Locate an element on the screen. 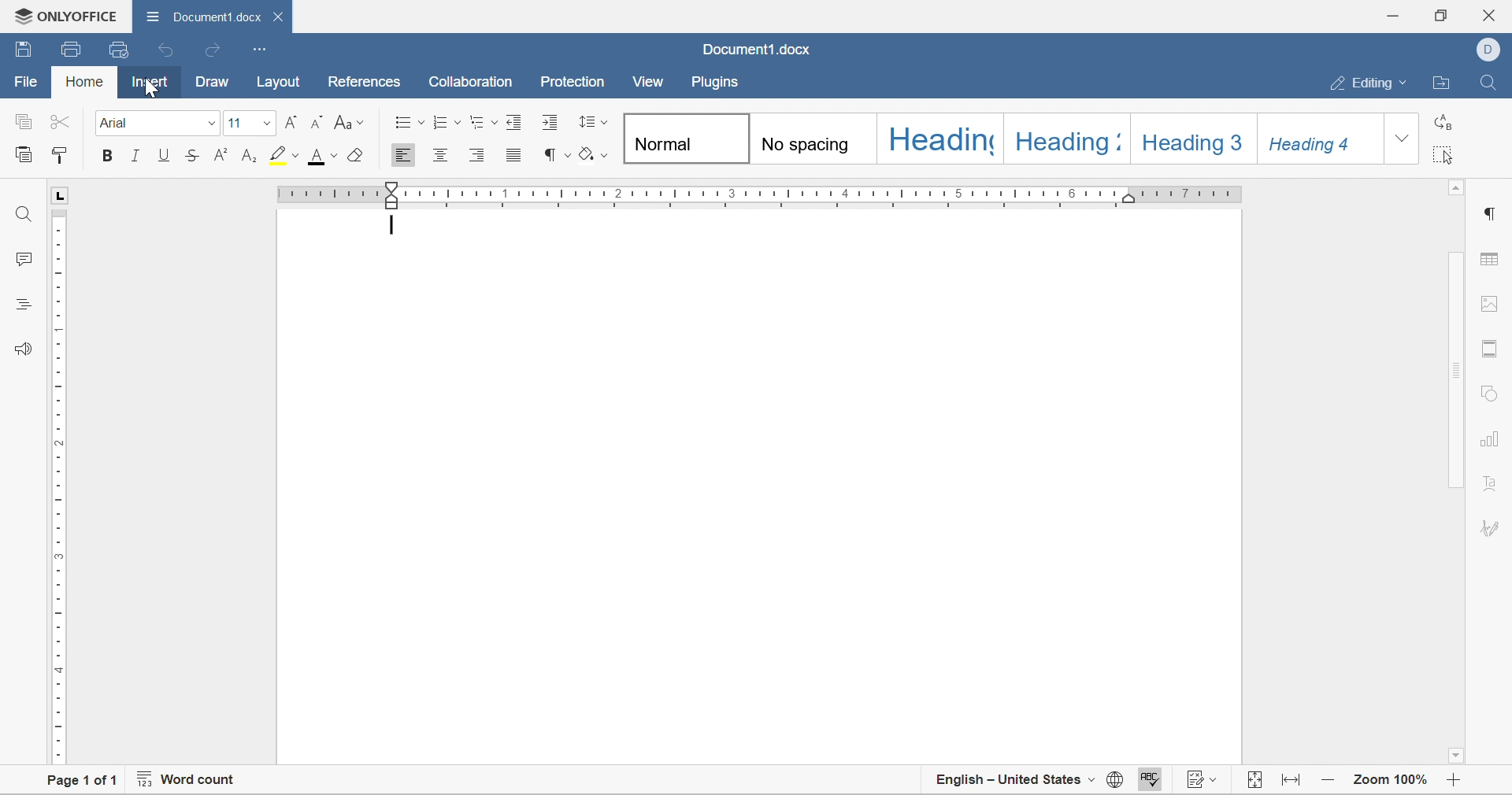 The height and width of the screenshot is (795, 1512). Chart settings is located at coordinates (1488, 444).